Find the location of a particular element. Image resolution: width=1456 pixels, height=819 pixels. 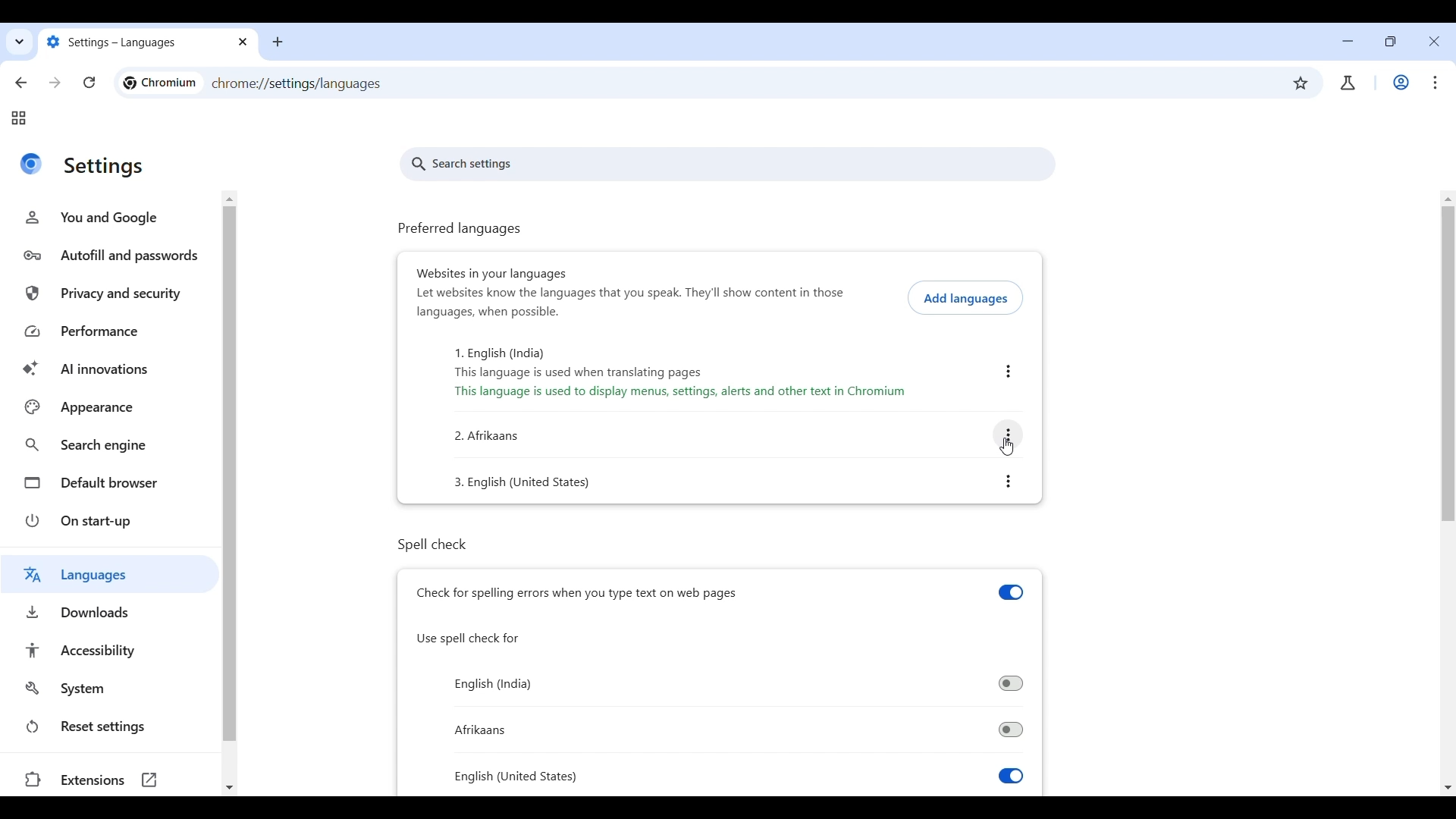

Reload page is located at coordinates (89, 83).